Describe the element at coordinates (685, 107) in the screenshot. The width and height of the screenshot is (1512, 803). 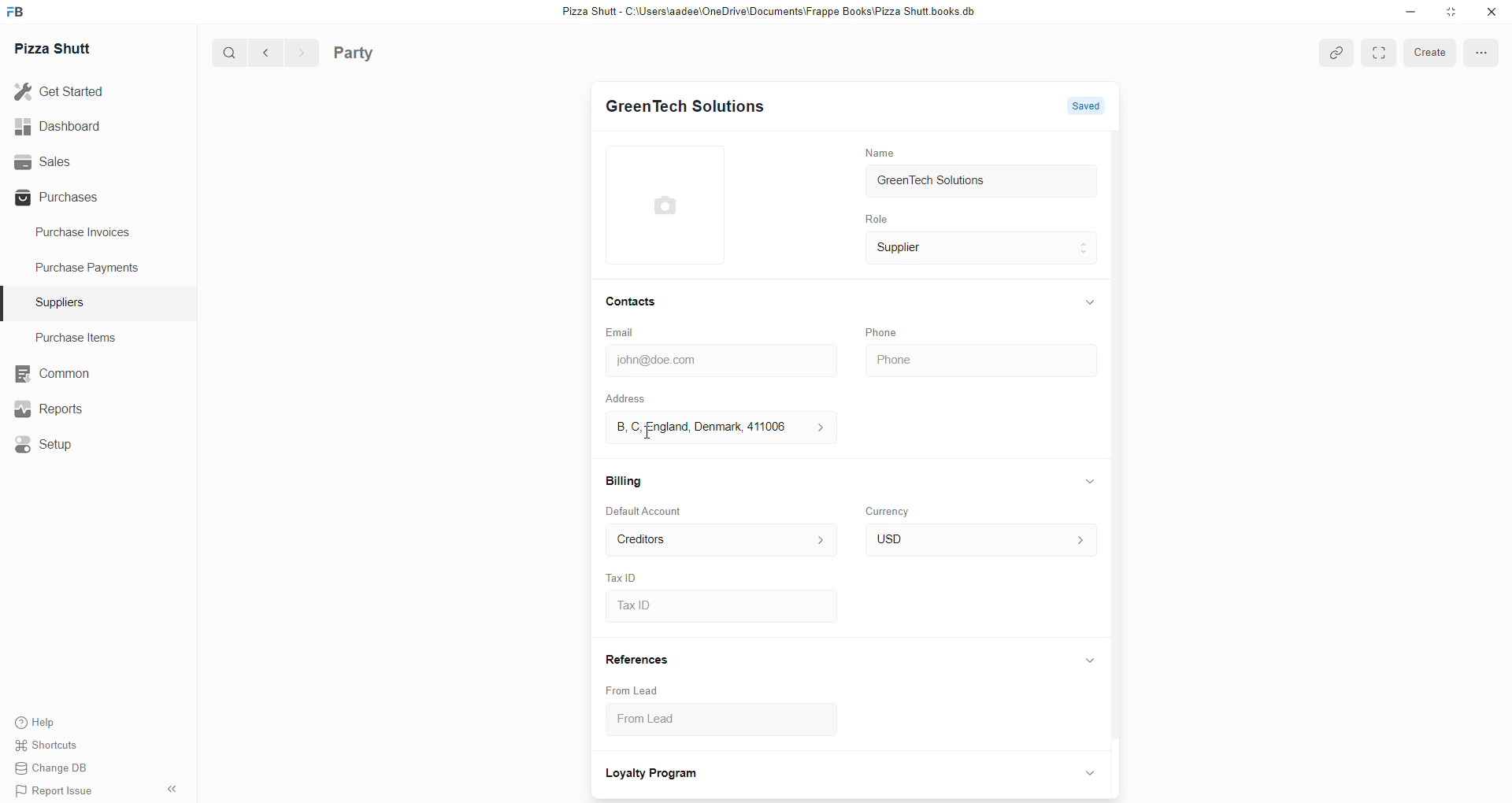
I see `GreenTech Solutions` at that location.